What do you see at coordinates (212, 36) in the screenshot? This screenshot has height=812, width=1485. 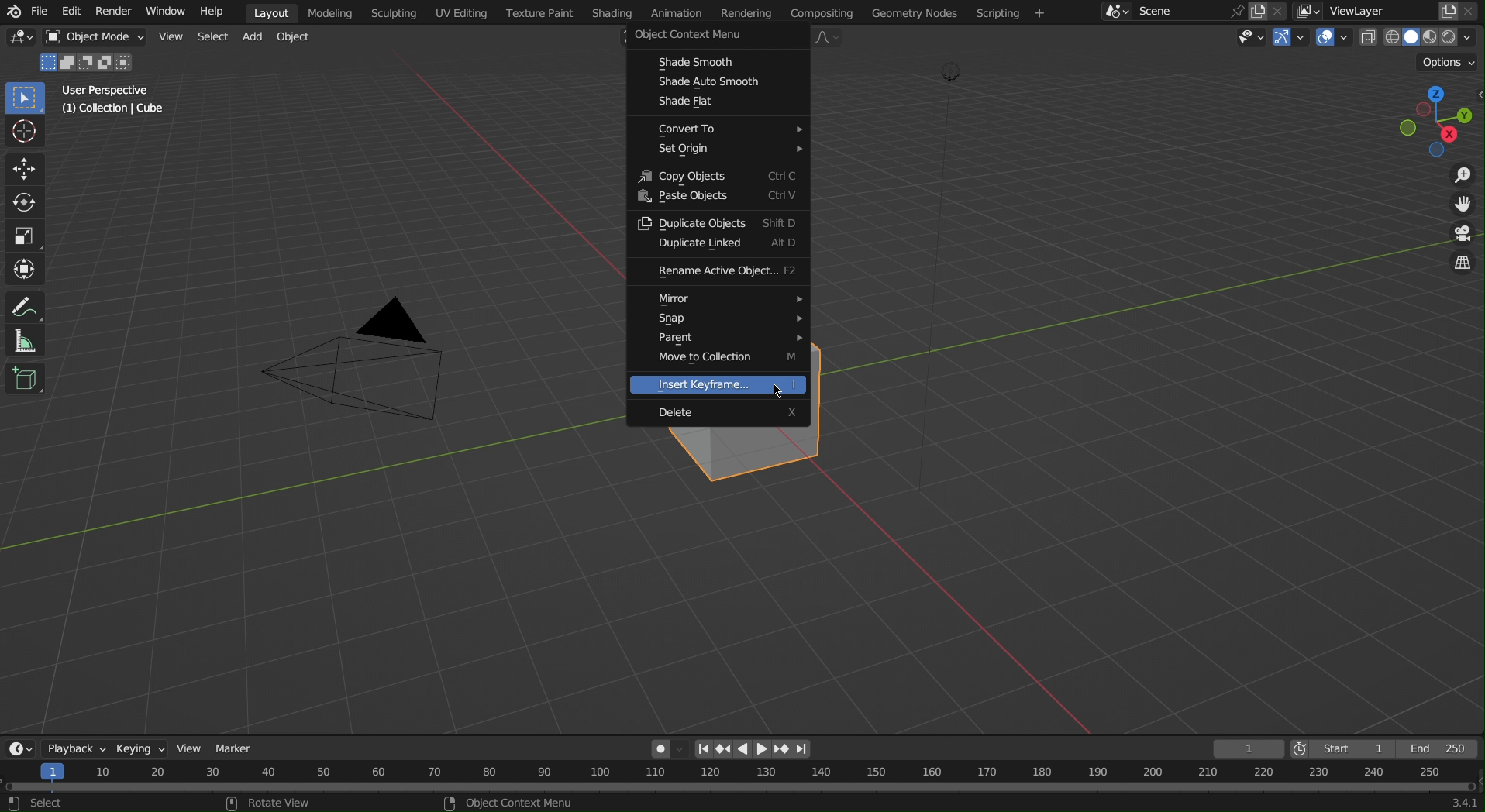 I see `Select` at bounding box center [212, 36].